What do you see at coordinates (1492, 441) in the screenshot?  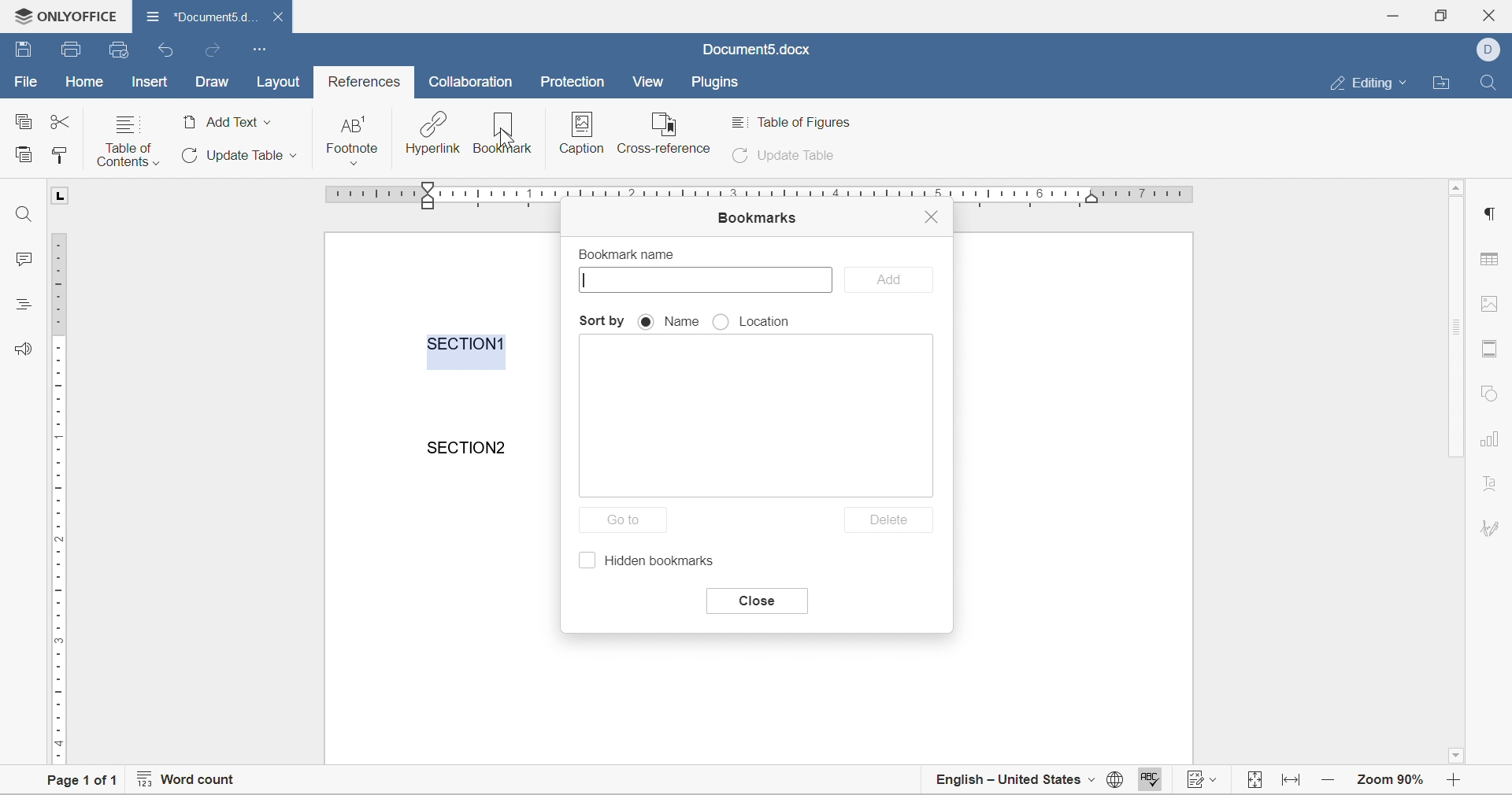 I see `chart settings` at bounding box center [1492, 441].